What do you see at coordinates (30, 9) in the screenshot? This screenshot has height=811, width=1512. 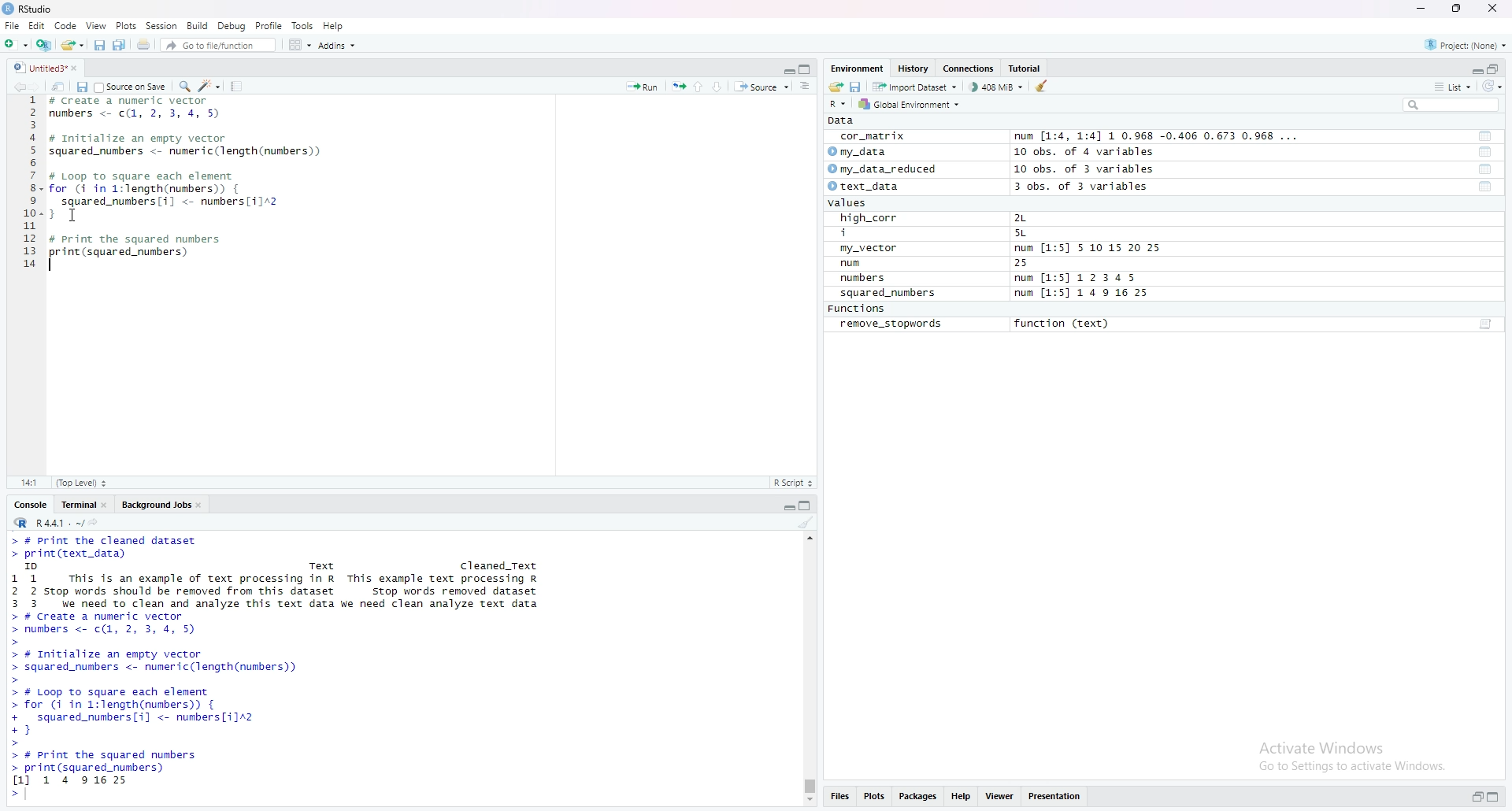 I see `RStudio` at bounding box center [30, 9].